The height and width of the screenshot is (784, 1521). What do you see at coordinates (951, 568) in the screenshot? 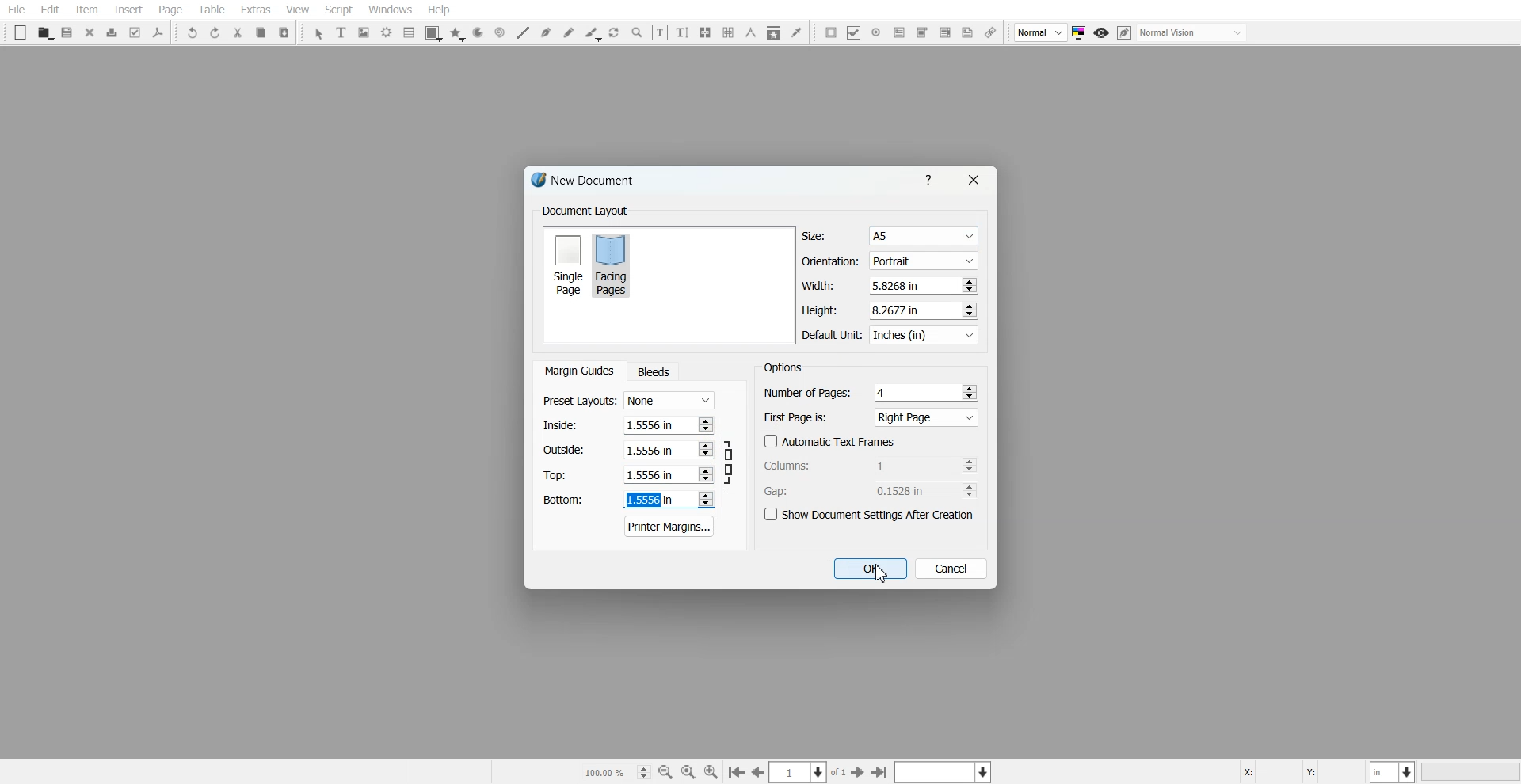
I see `Cancel` at bounding box center [951, 568].